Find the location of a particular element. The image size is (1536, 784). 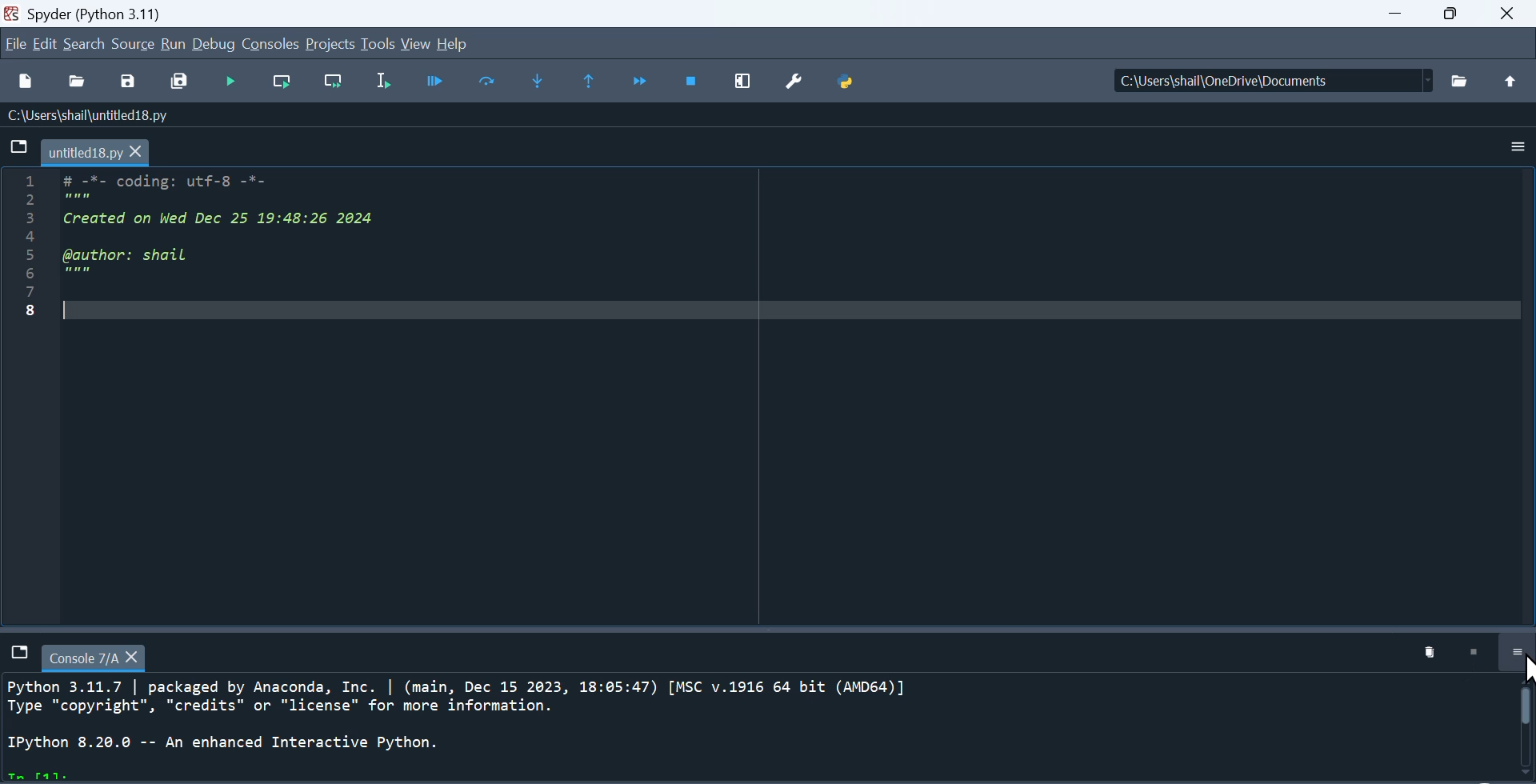

run current line is located at coordinates (486, 82).